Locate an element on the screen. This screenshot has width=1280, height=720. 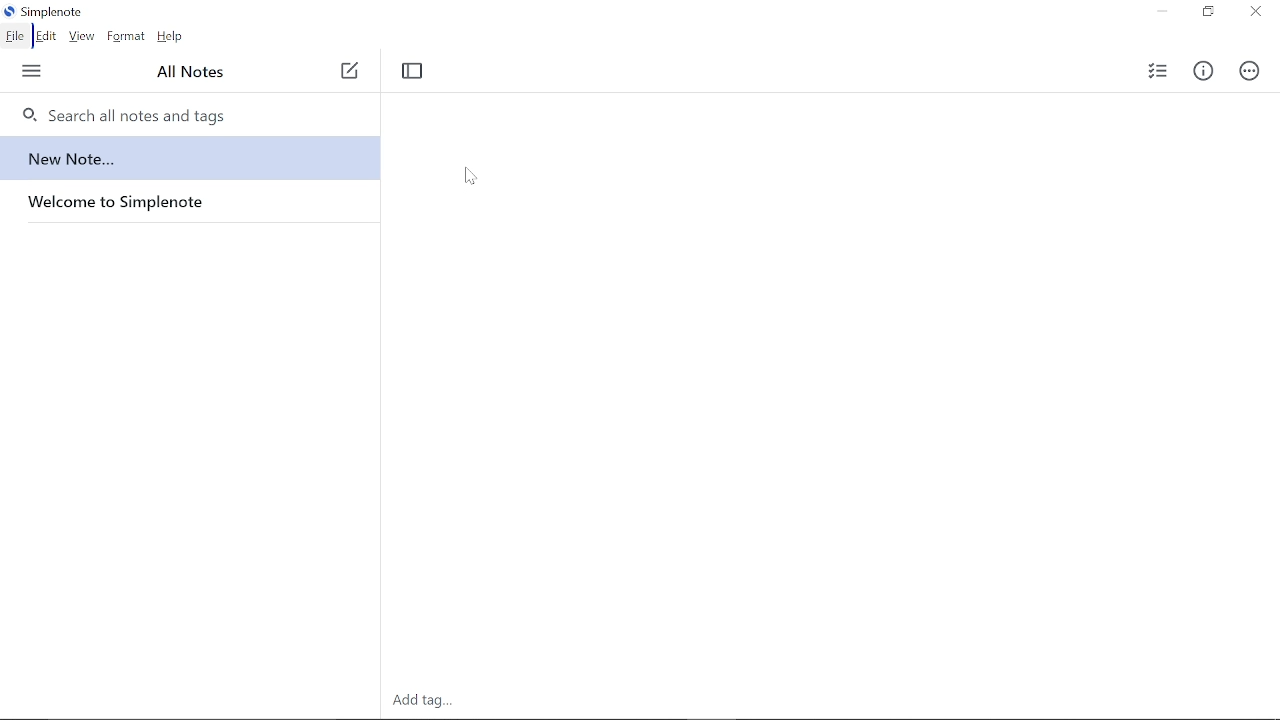
Info is located at coordinates (1203, 73).